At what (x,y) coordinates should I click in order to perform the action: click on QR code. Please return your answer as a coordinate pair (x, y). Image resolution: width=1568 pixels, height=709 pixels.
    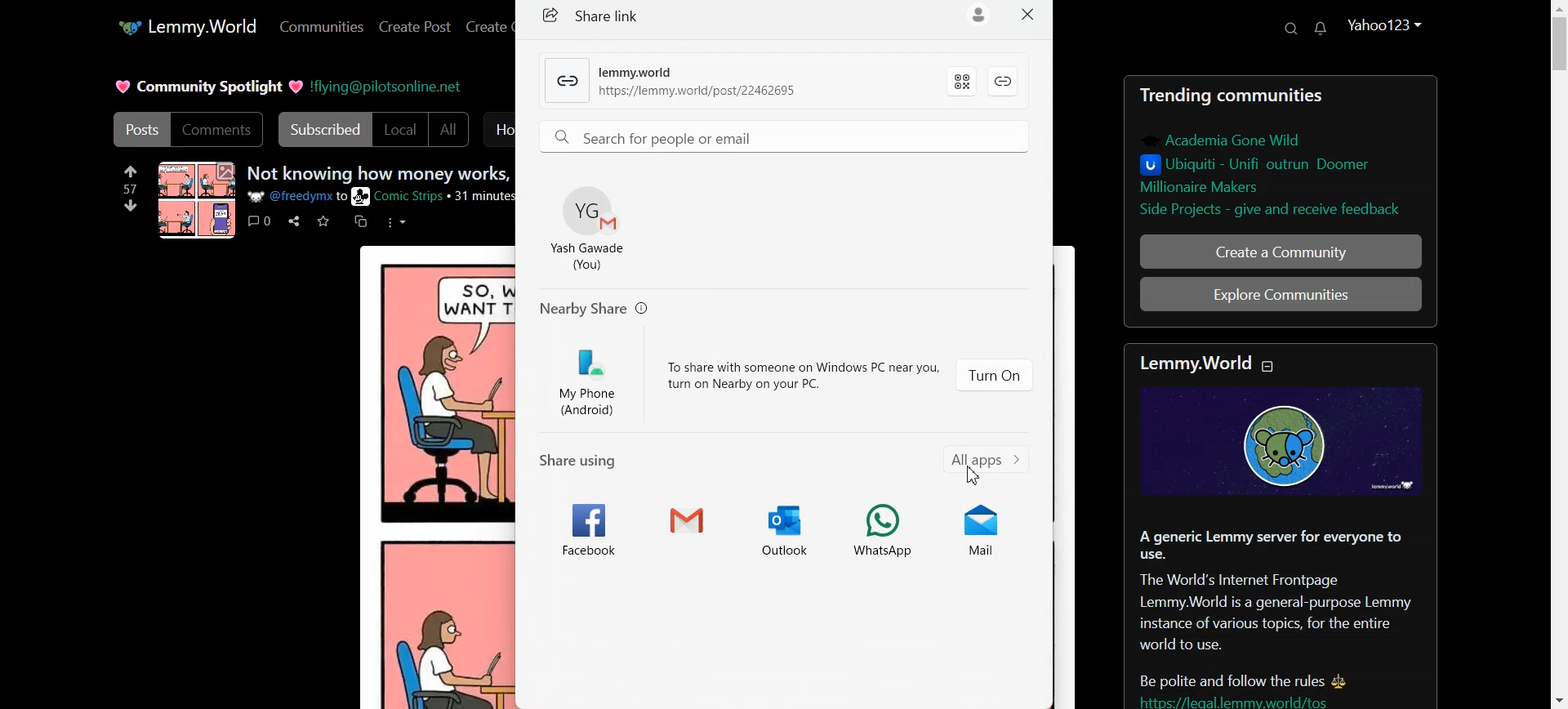
    Looking at the image, I should click on (961, 82).